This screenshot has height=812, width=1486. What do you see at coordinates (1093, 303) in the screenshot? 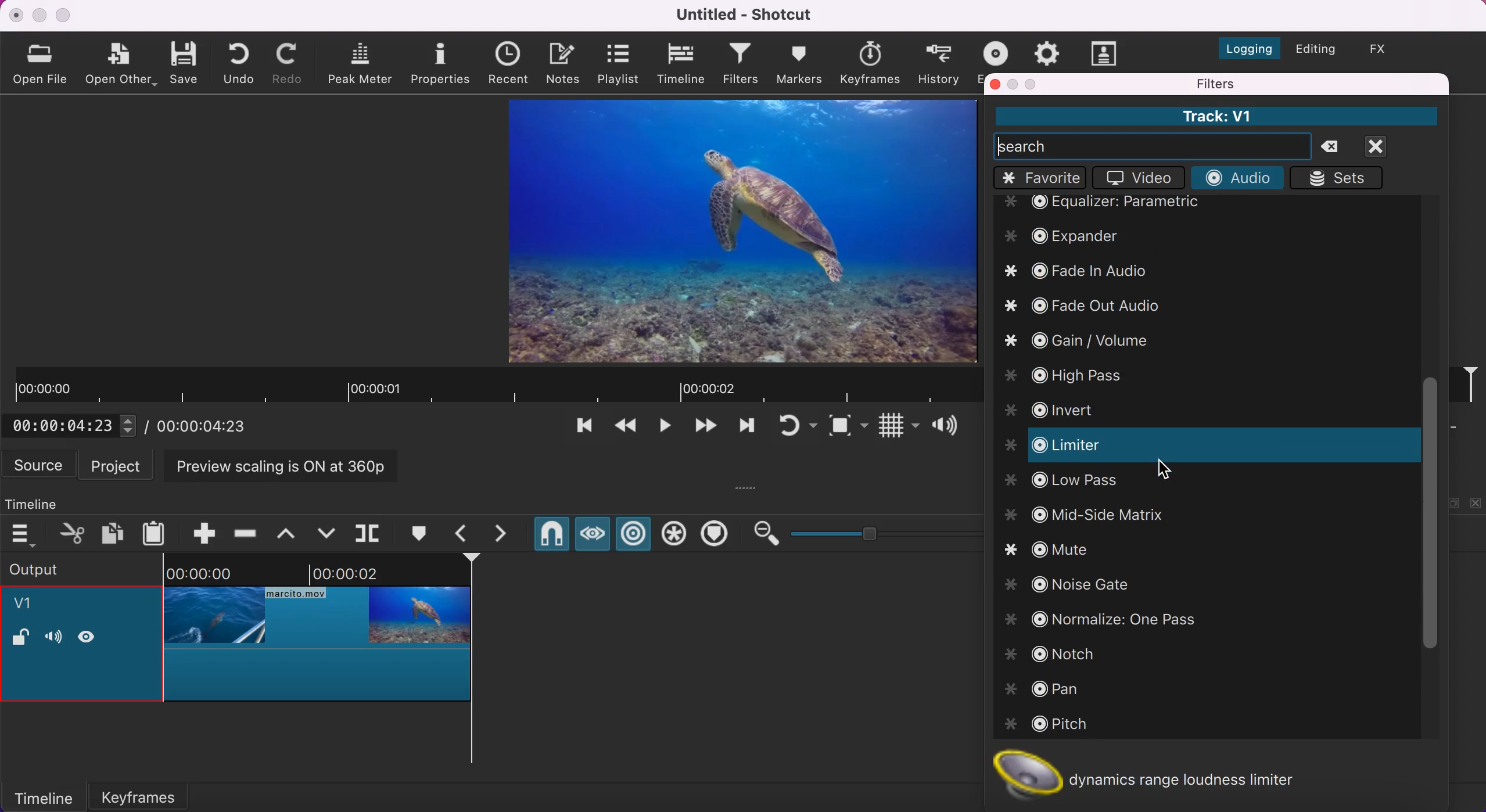
I see `fade out audio` at bounding box center [1093, 303].